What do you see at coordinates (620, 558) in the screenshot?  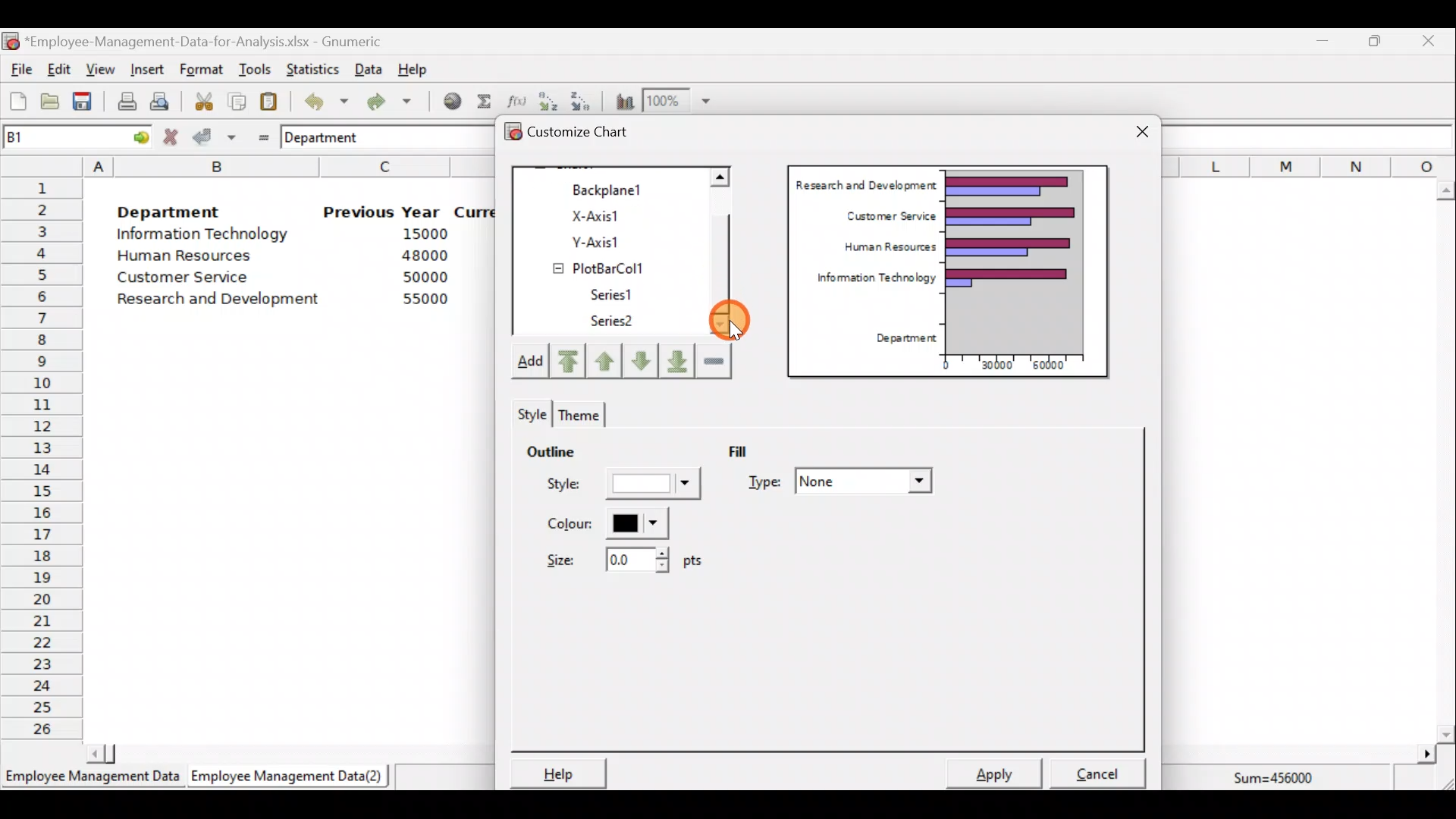 I see `Size` at bounding box center [620, 558].